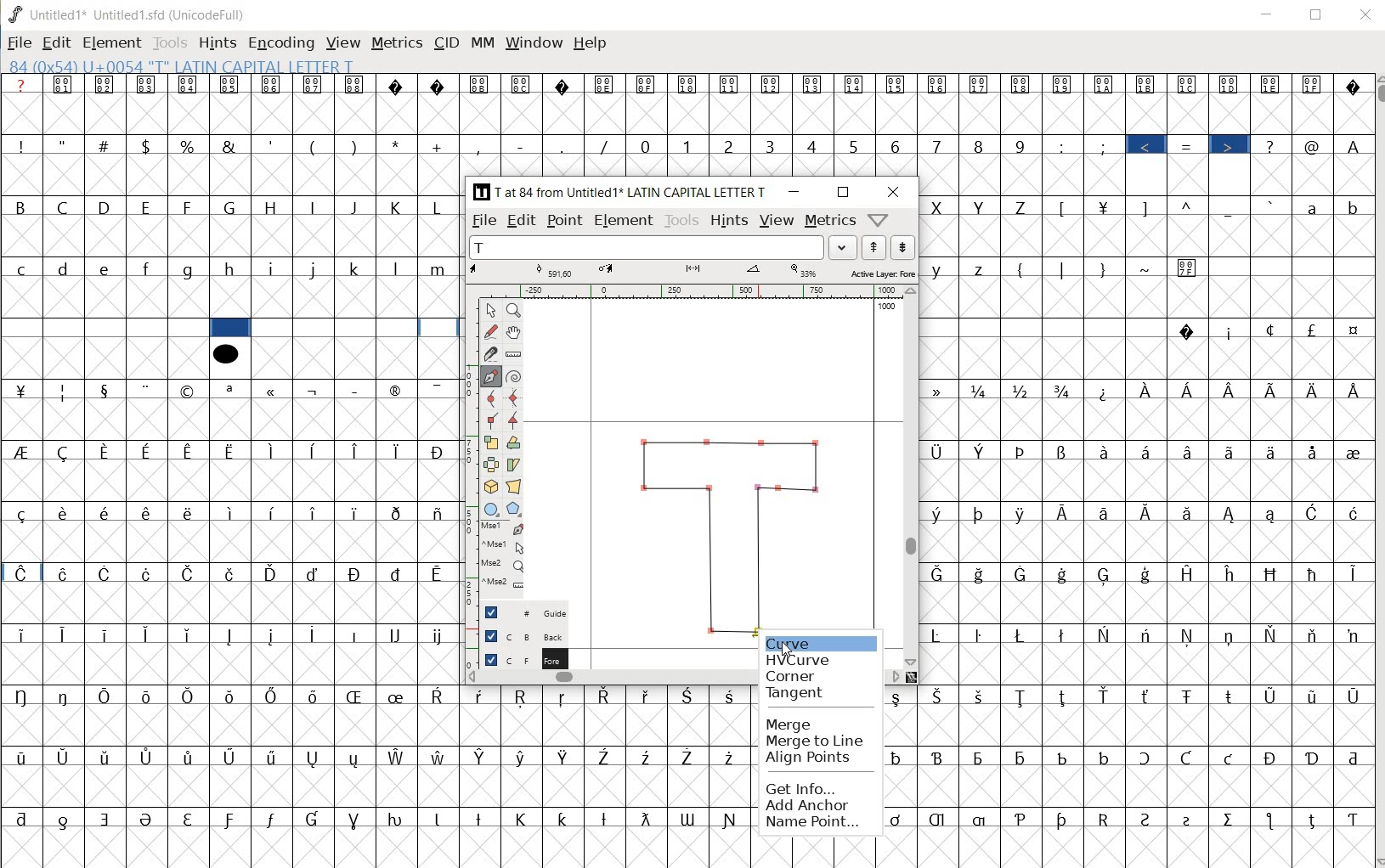  Describe the element at coordinates (357, 86) in the screenshot. I see `Symbol` at that location.